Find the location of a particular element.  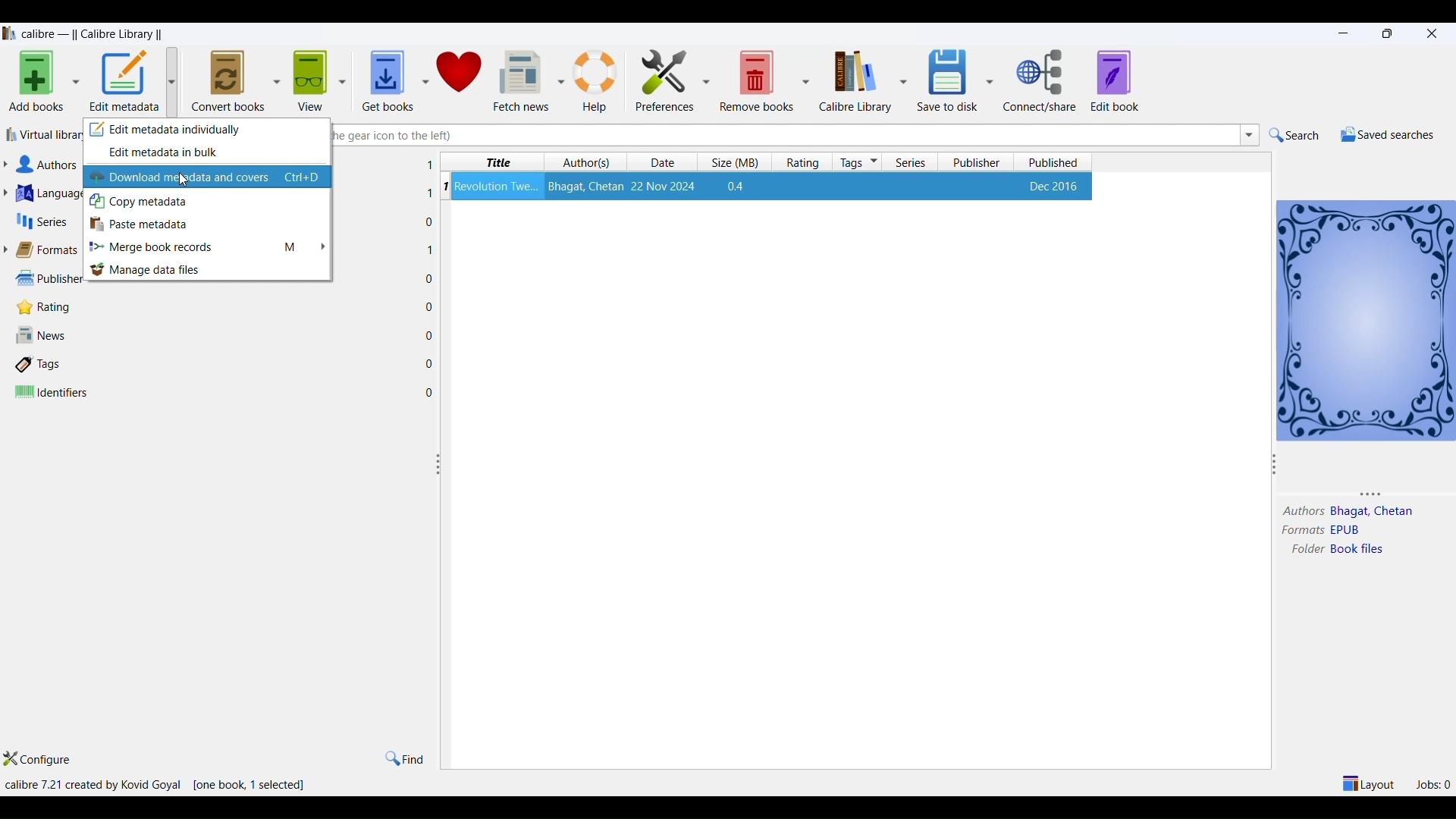

search dropdown button is located at coordinates (1250, 136).